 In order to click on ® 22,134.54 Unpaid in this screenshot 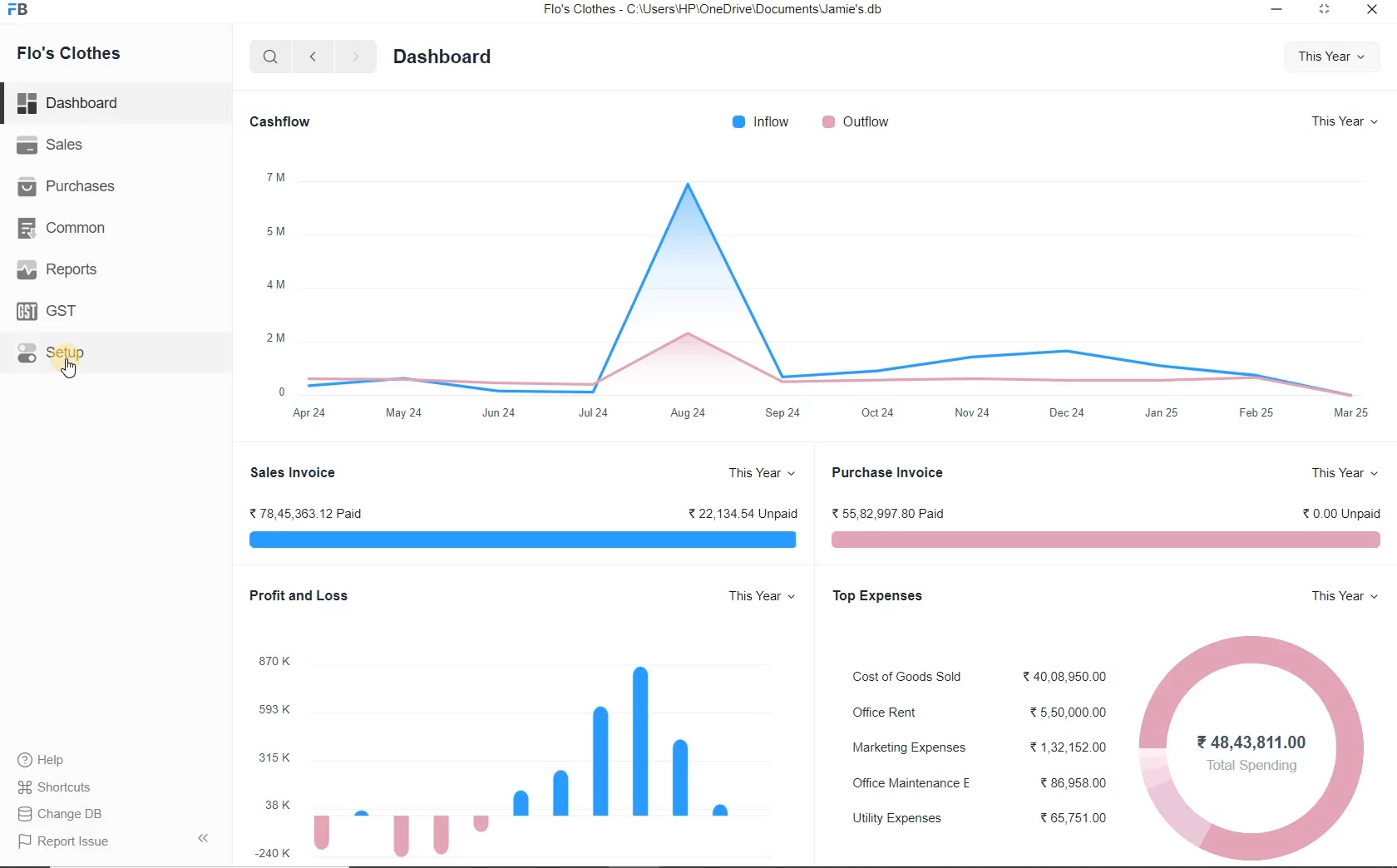, I will do `click(743, 513)`.